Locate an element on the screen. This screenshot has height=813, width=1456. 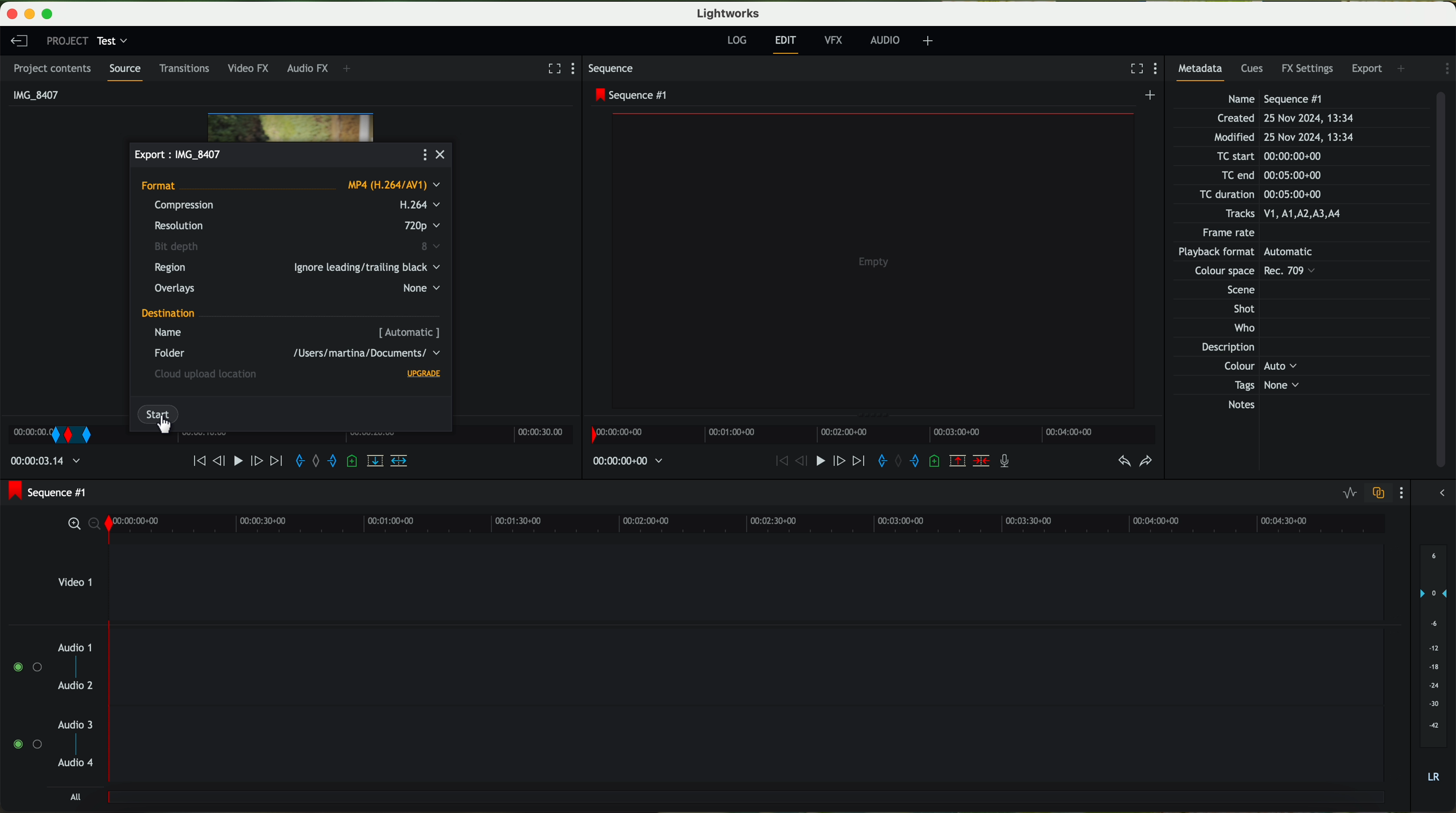
format is located at coordinates (291, 187).